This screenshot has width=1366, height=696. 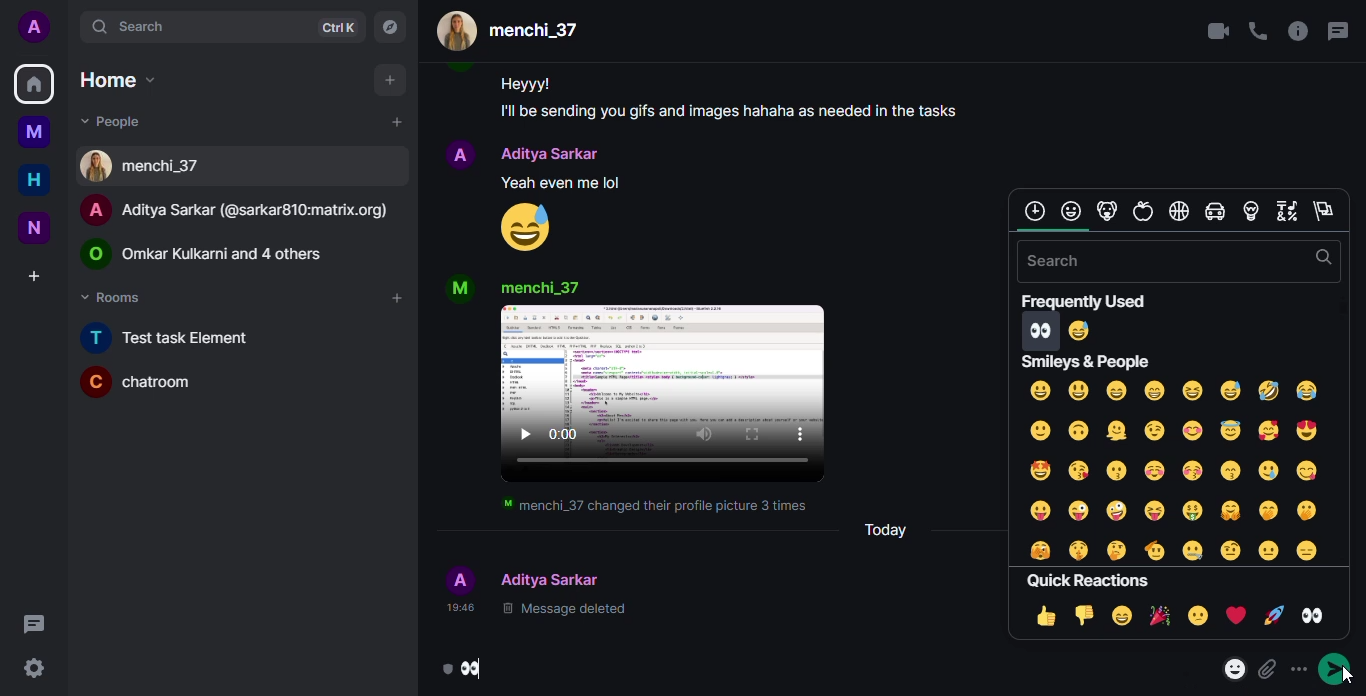 What do you see at coordinates (36, 624) in the screenshot?
I see `threads` at bounding box center [36, 624].